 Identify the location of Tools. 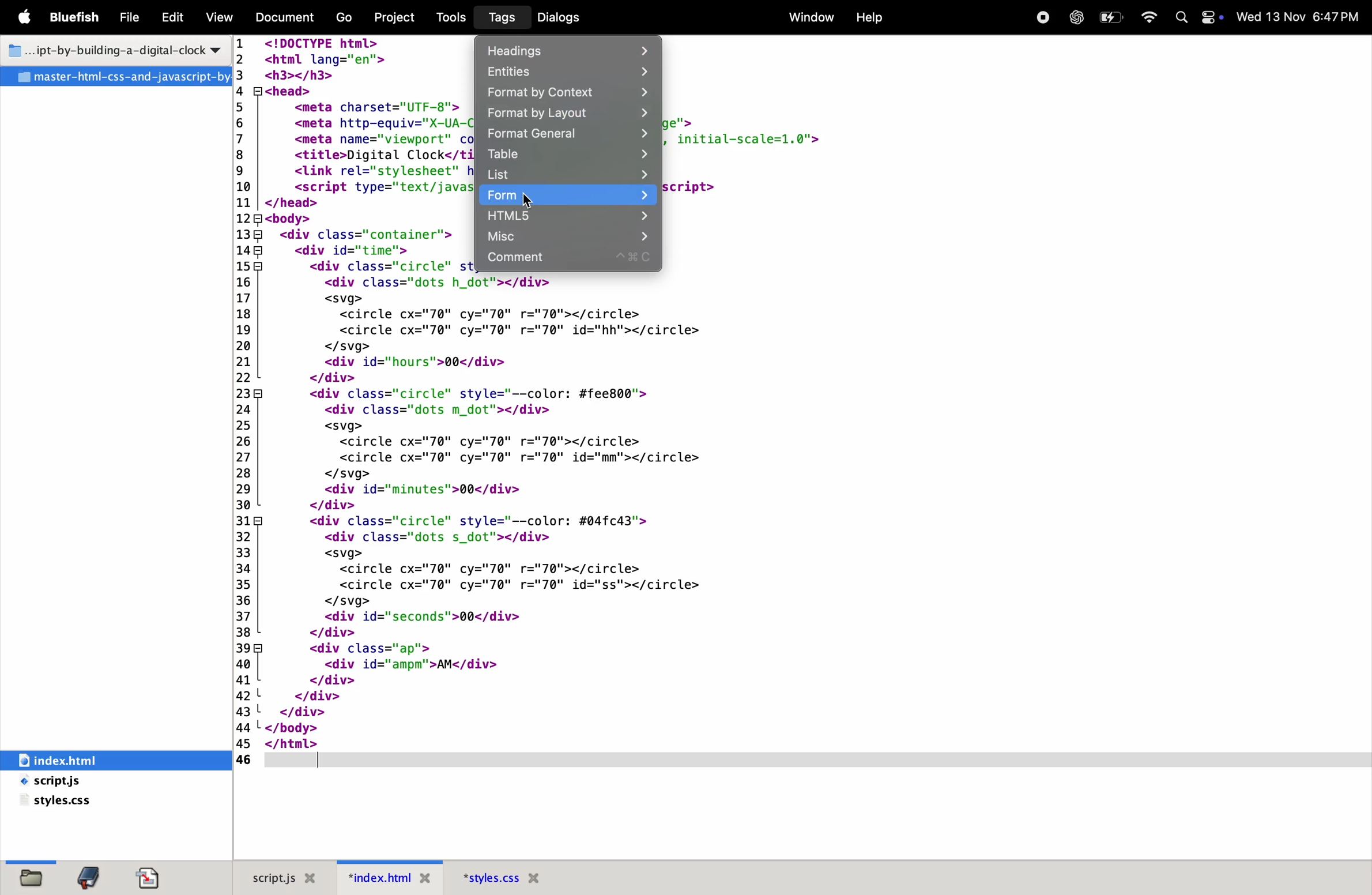
(451, 18).